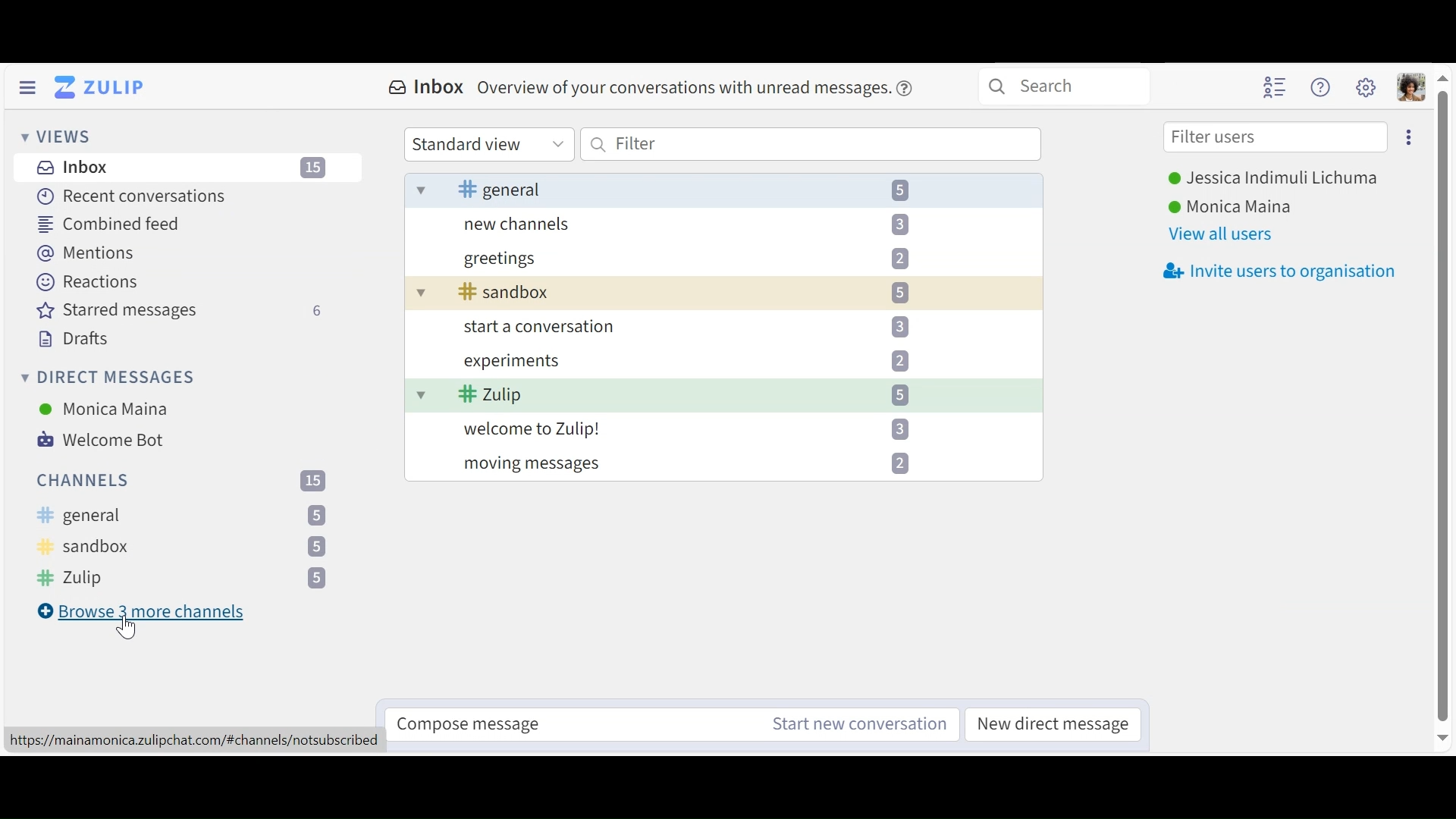 Image resolution: width=1456 pixels, height=819 pixels. Describe the element at coordinates (728, 395) in the screenshot. I see `inbox unread messages` at that location.